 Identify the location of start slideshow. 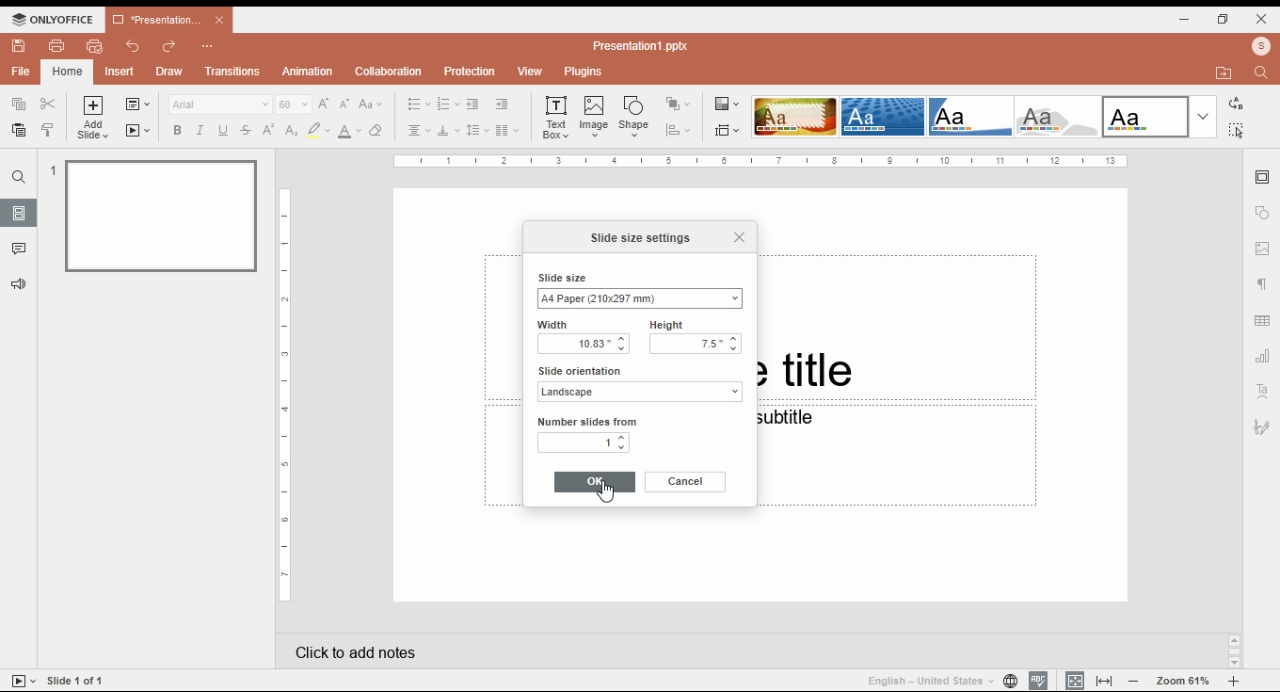
(138, 131).